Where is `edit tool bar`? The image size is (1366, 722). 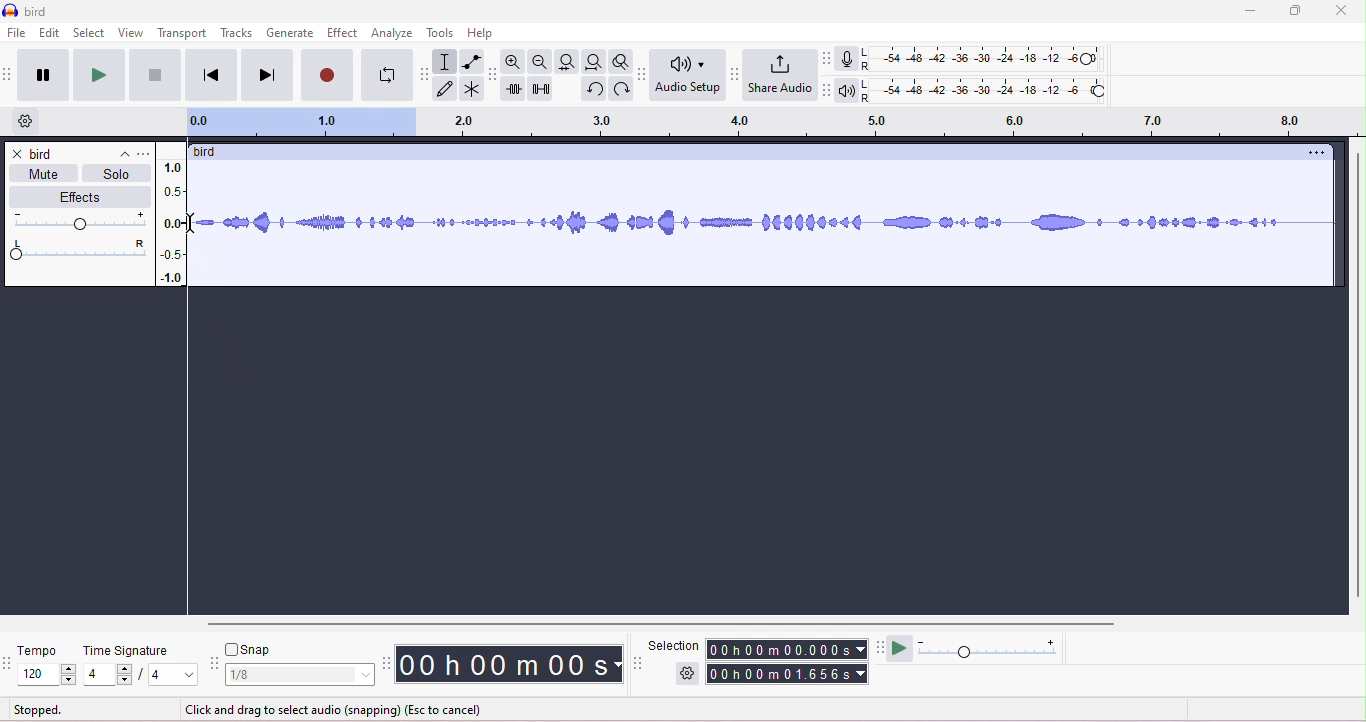 edit tool bar is located at coordinates (493, 75).